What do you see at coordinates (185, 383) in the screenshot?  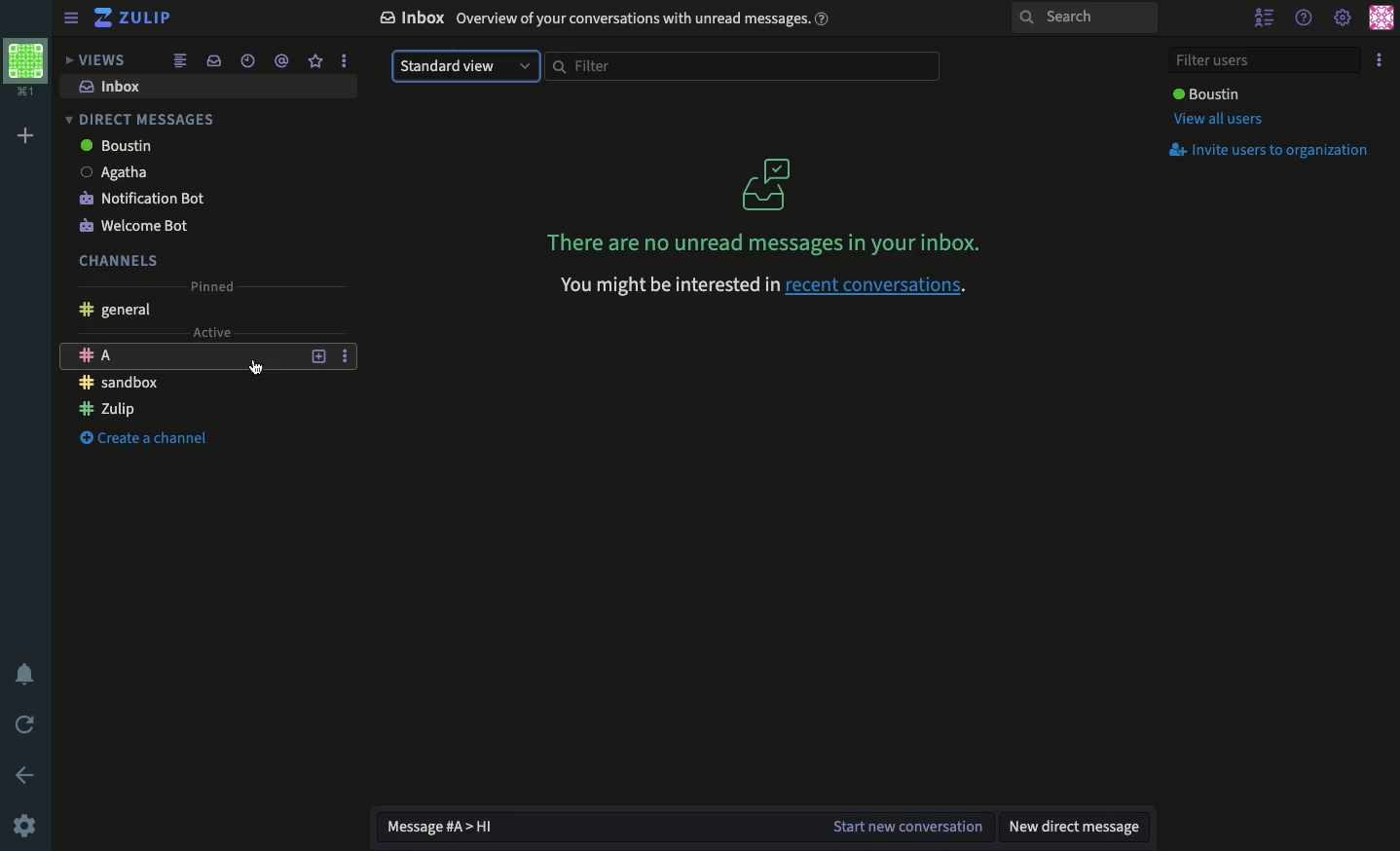 I see `Chanel sandbox` at bounding box center [185, 383].